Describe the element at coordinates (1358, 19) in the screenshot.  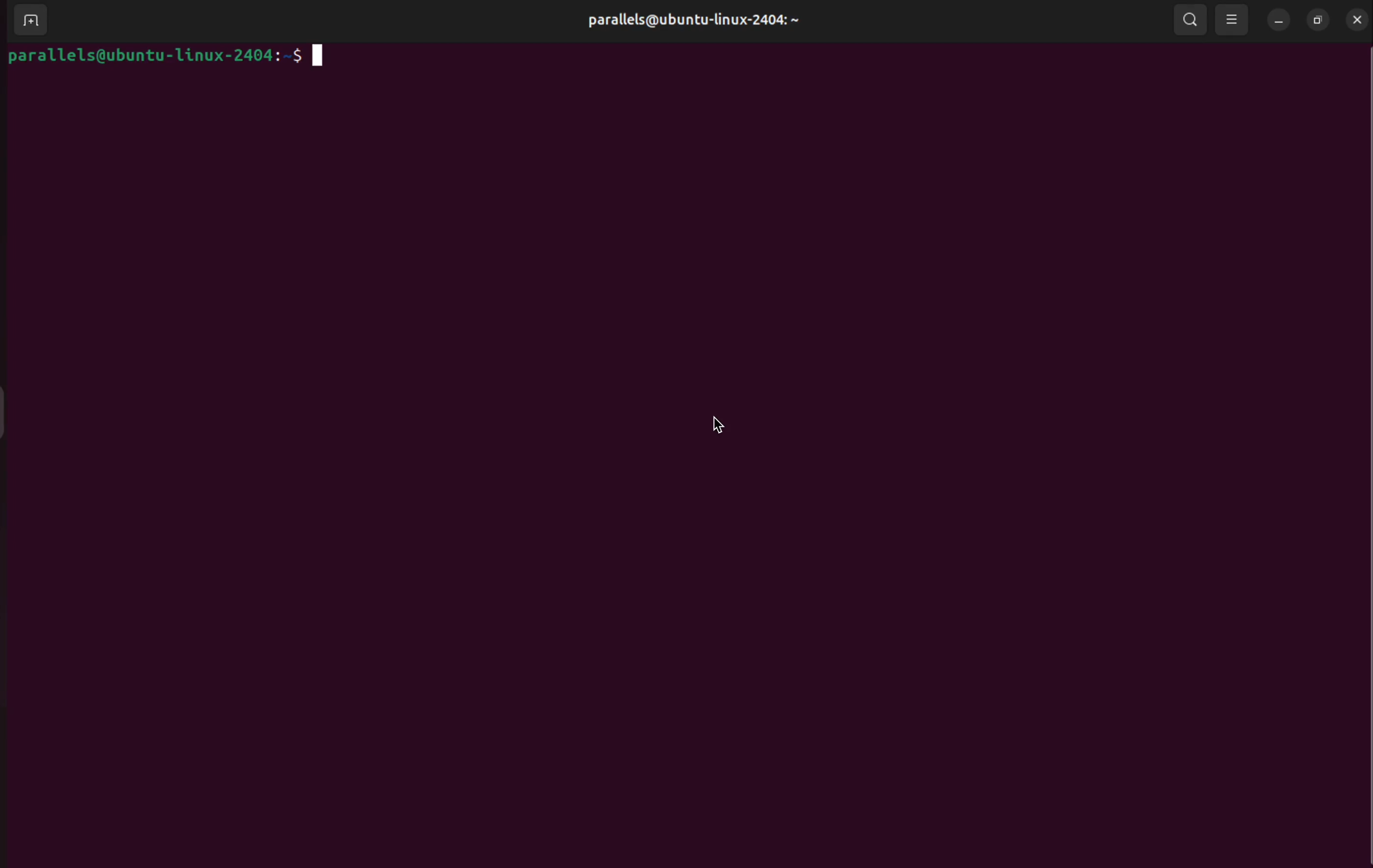
I see `close` at that location.